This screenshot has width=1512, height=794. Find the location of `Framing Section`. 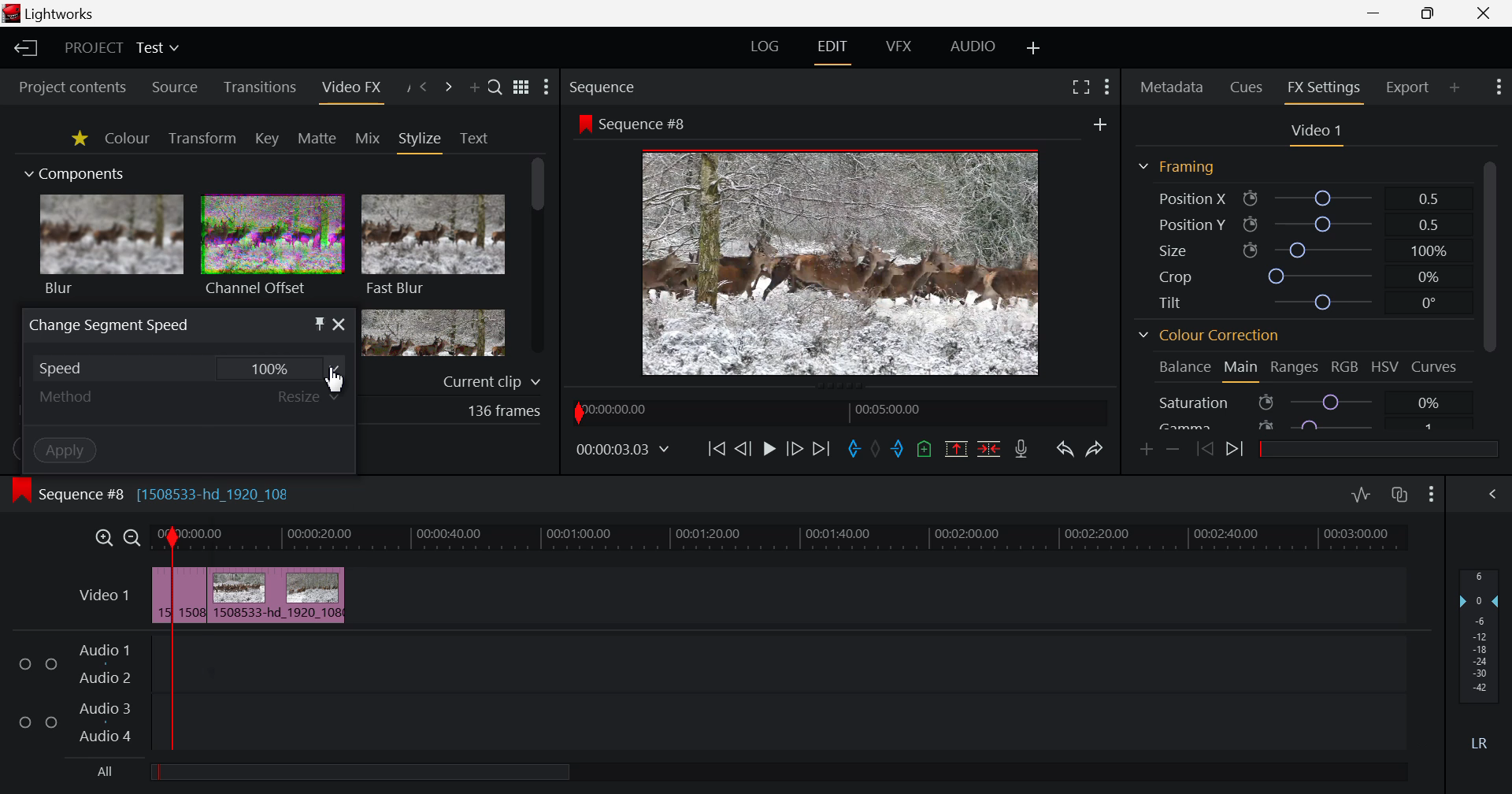

Framing Section is located at coordinates (1176, 169).